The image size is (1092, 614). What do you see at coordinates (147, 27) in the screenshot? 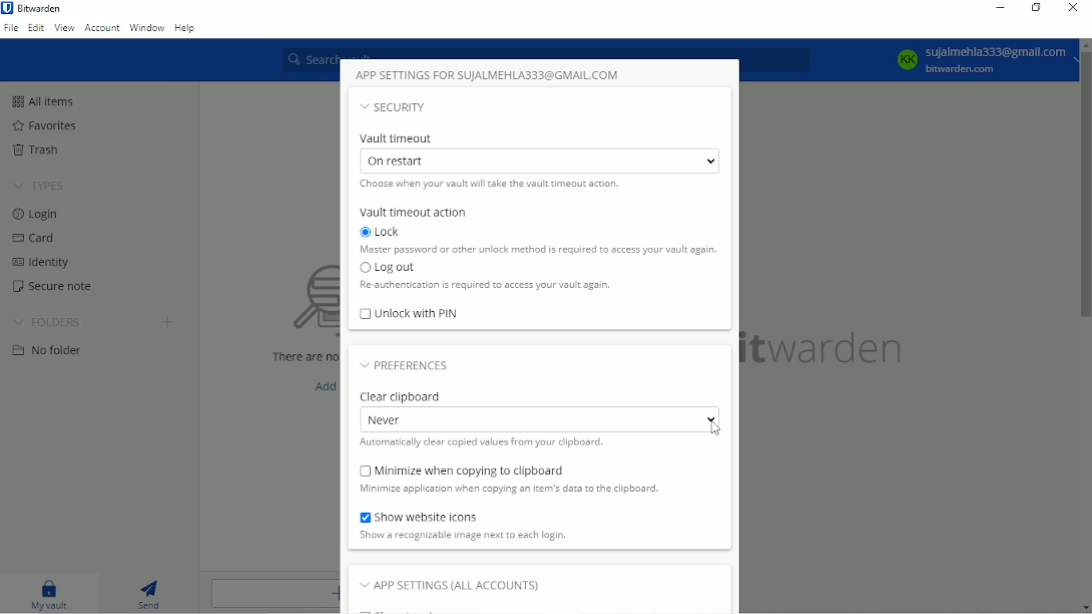
I see `Window` at bounding box center [147, 27].